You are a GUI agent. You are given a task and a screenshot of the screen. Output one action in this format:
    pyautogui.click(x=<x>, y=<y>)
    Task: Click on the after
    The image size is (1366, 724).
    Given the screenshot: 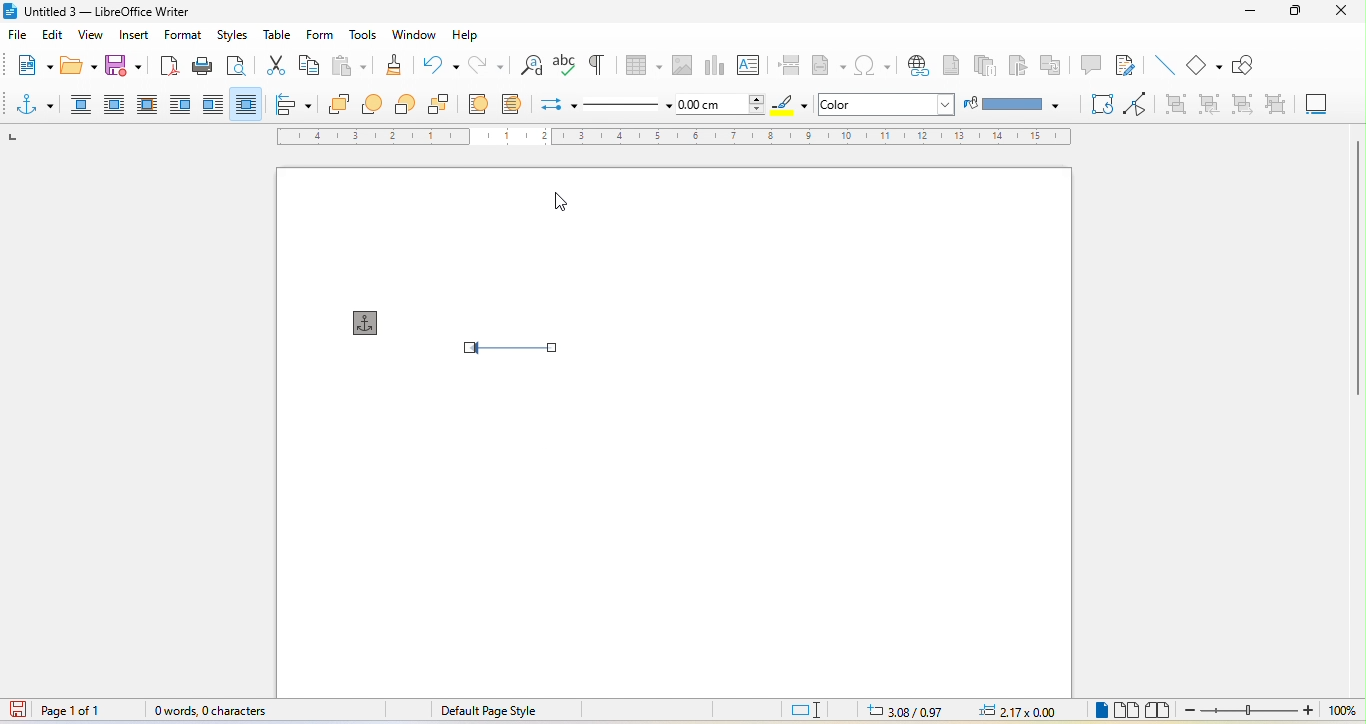 What is the action you would take?
    pyautogui.click(x=211, y=103)
    